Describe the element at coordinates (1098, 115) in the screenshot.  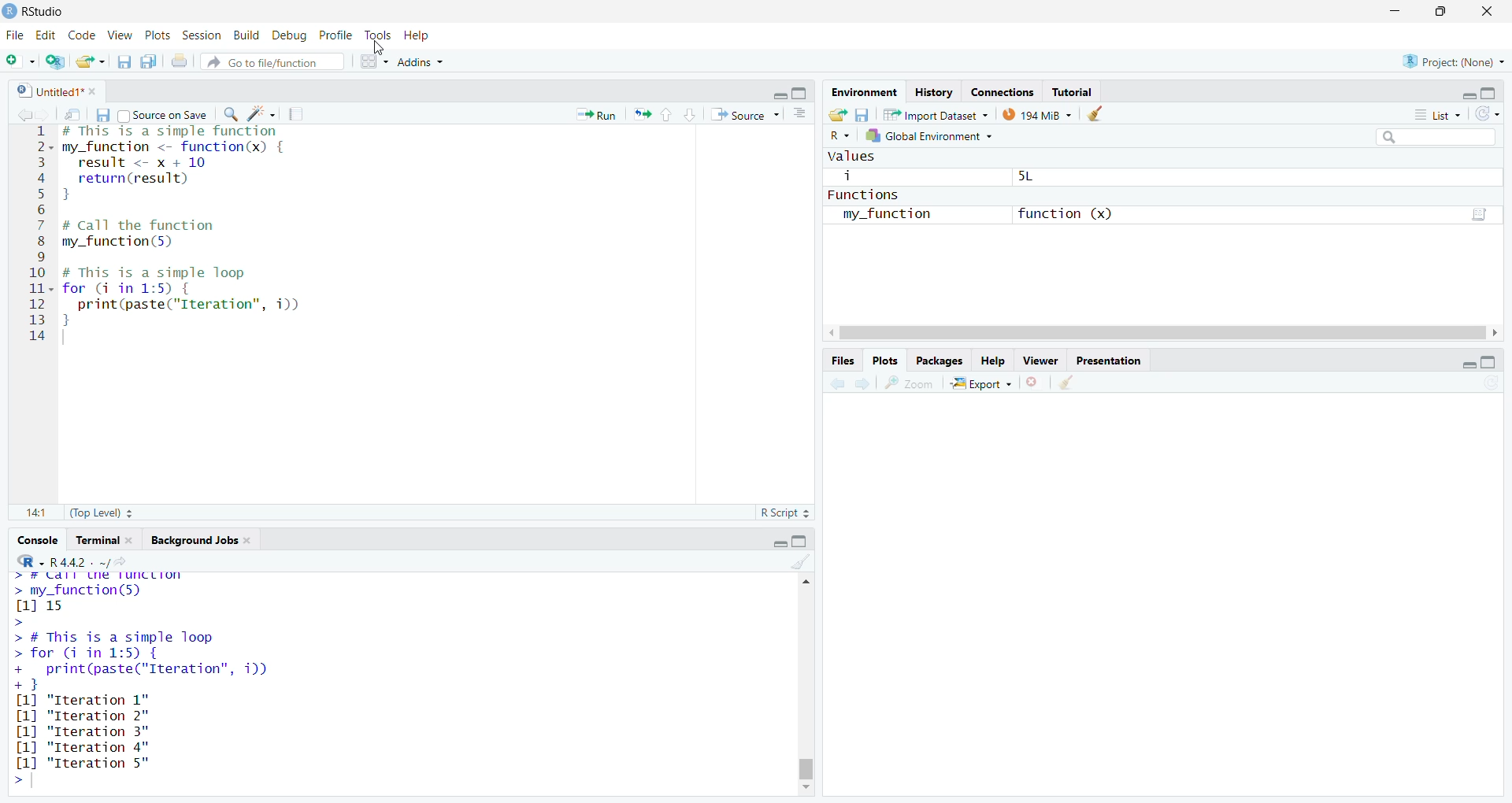
I see `clear objects from the workspace` at that location.